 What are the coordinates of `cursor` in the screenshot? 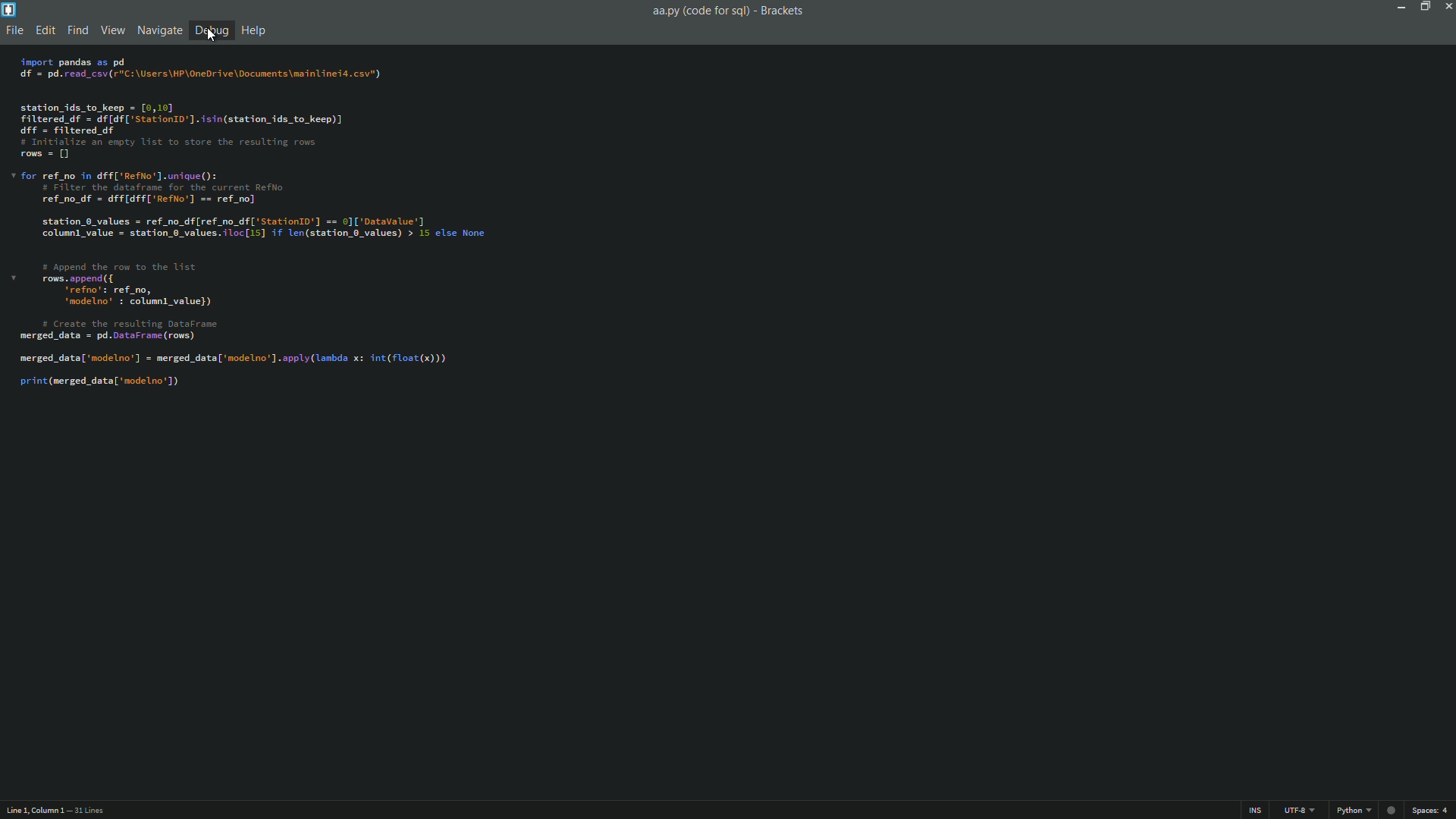 It's located at (213, 33).